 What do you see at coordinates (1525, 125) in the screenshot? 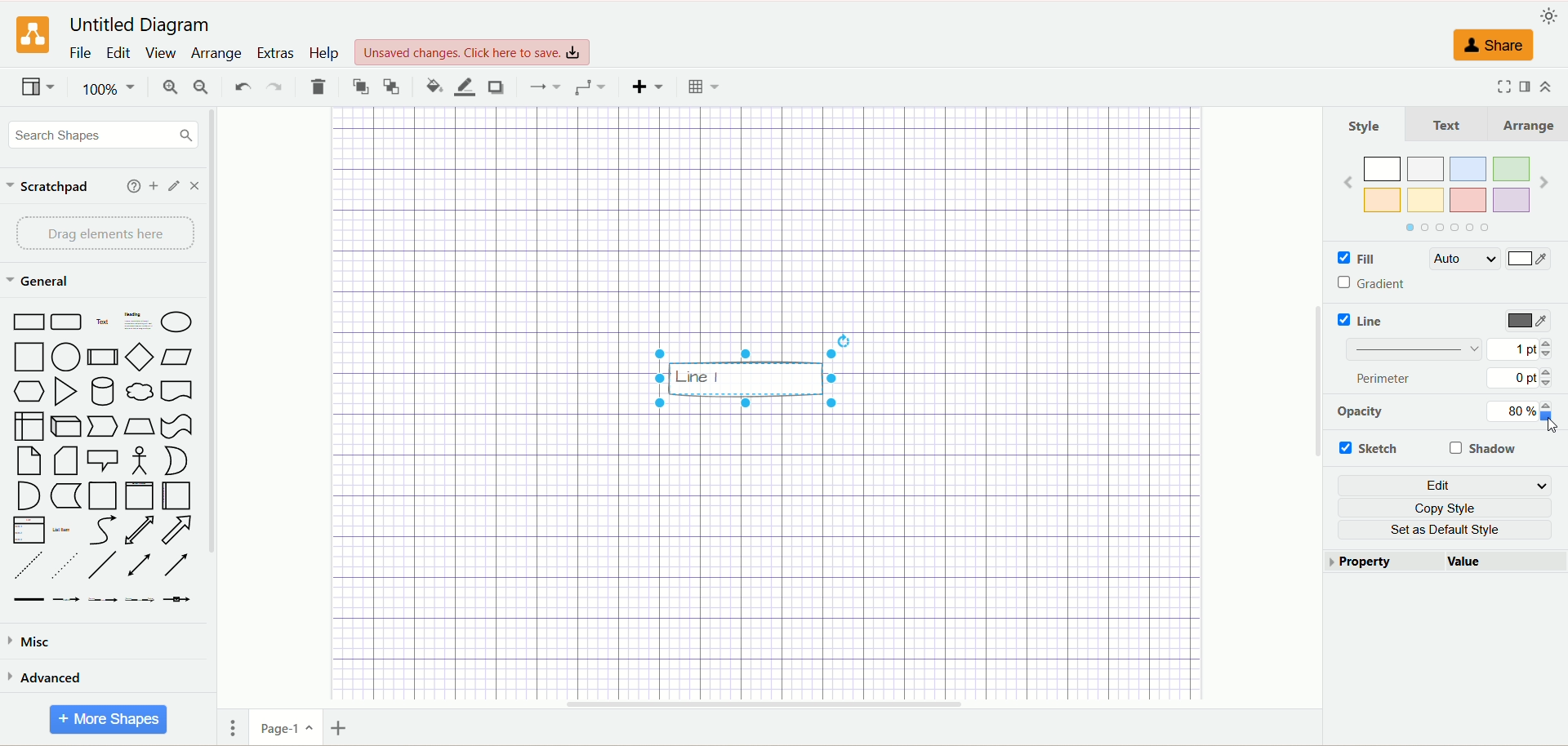
I see `Arrange` at bounding box center [1525, 125].